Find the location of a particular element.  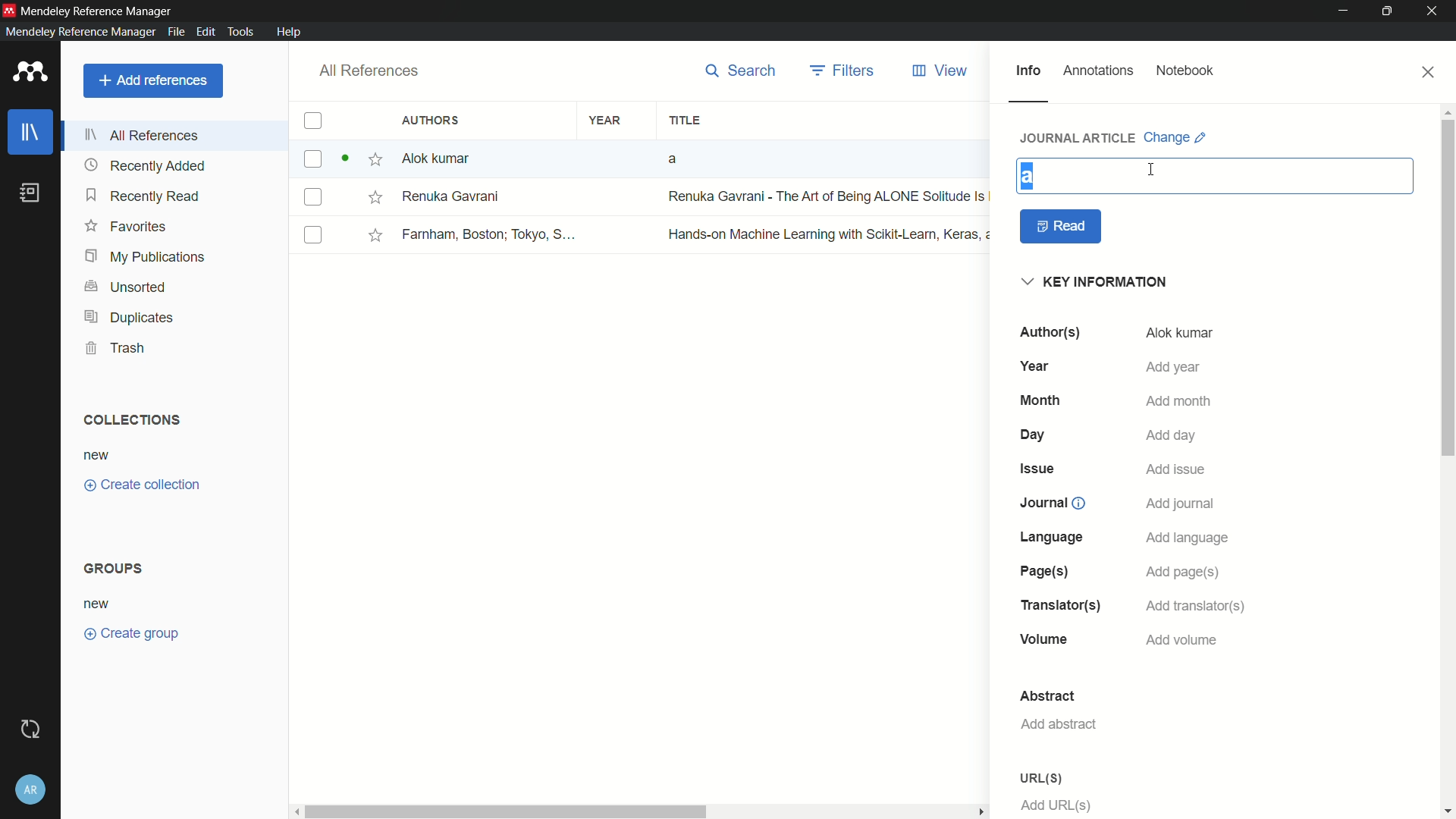

app icon is located at coordinates (9, 10).